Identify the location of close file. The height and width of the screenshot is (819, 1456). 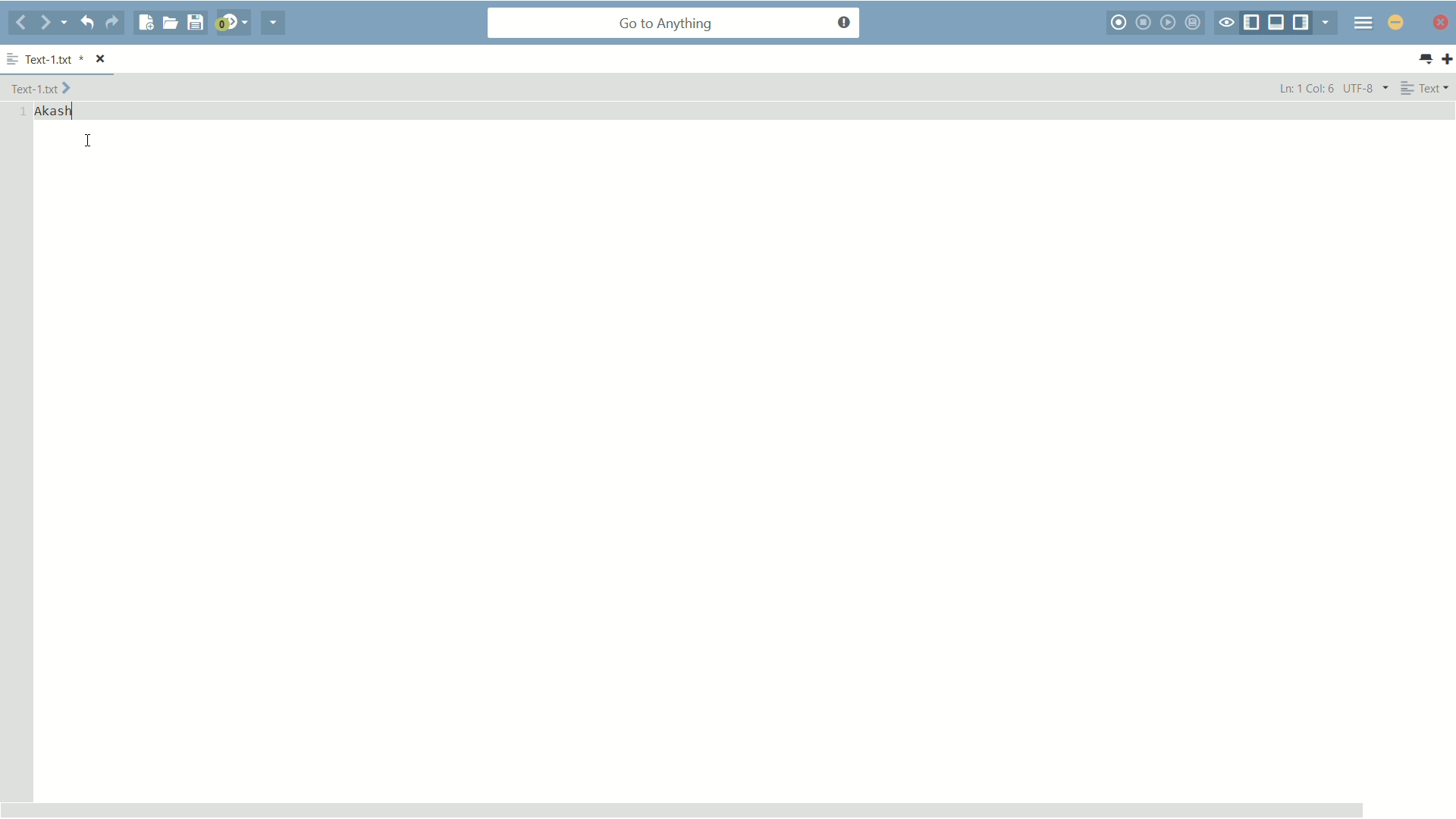
(101, 58).